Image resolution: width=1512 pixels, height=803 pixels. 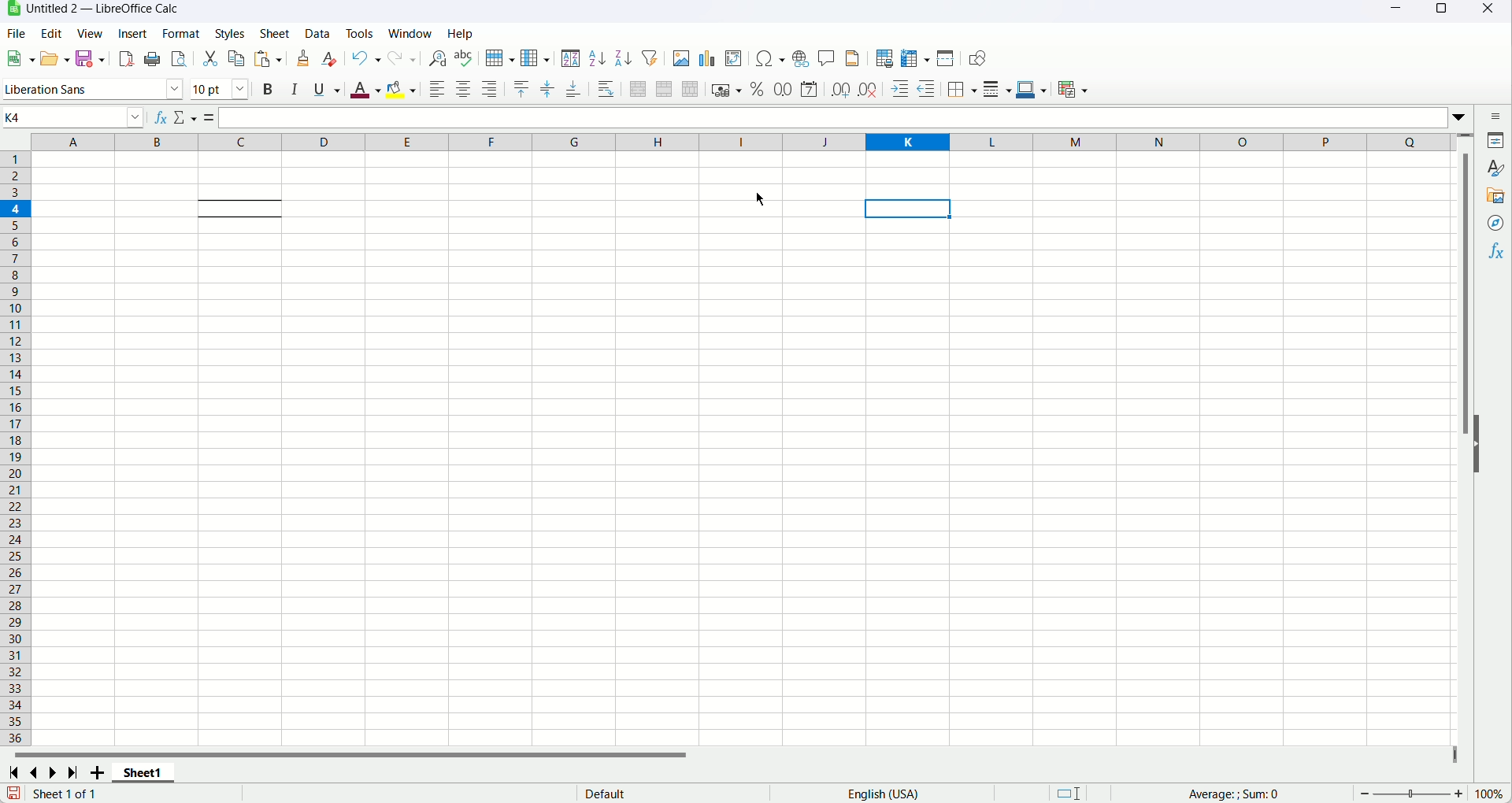 What do you see at coordinates (402, 91) in the screenshot?
I see `Background color` at bounding box center [402, 91].